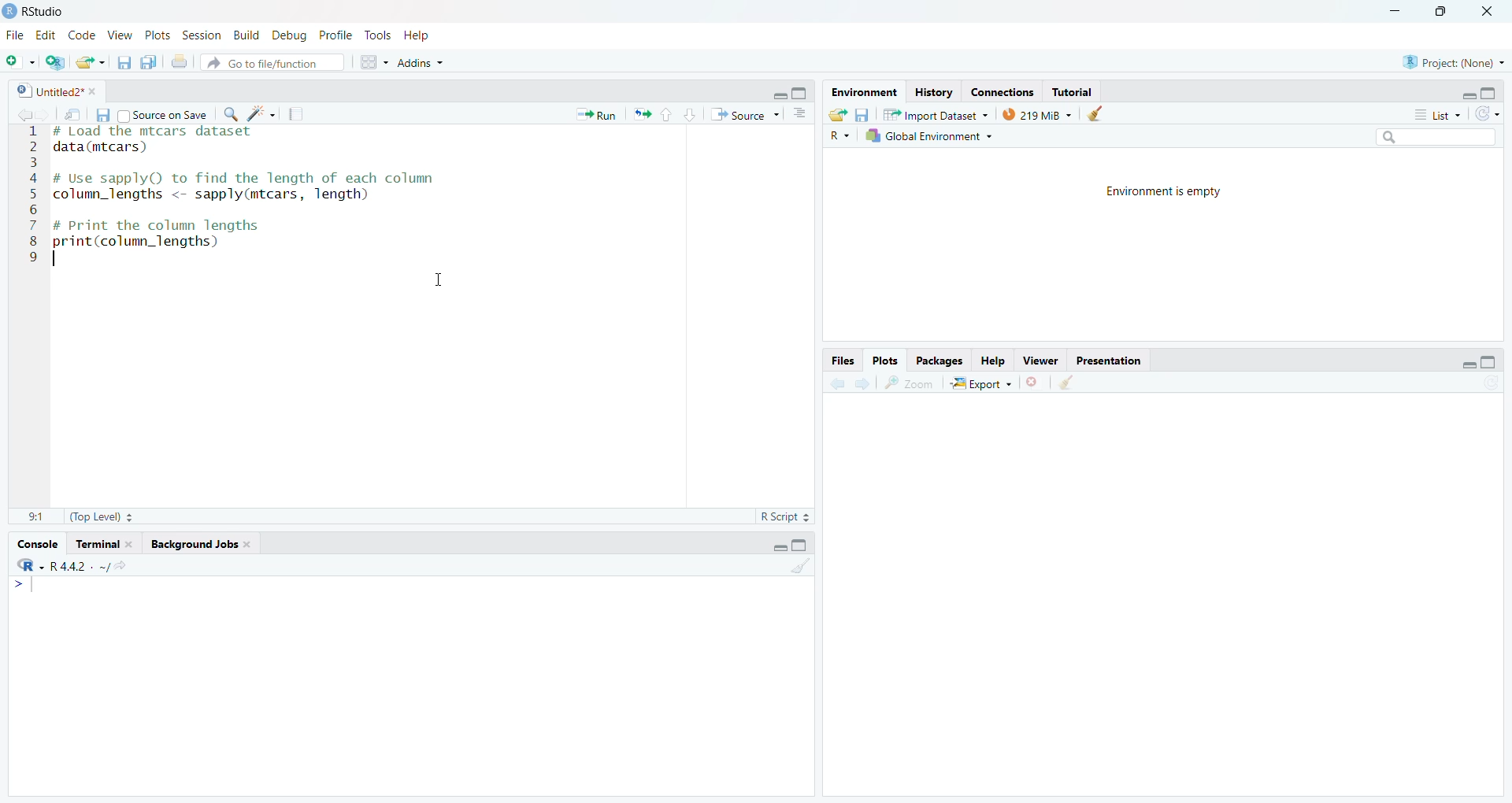 This screenshot has width=1512, height=803. What do you see at coordinates (1396, 13) in the screenshot?
I see `Minimize` at bounding box center [1396, 13].